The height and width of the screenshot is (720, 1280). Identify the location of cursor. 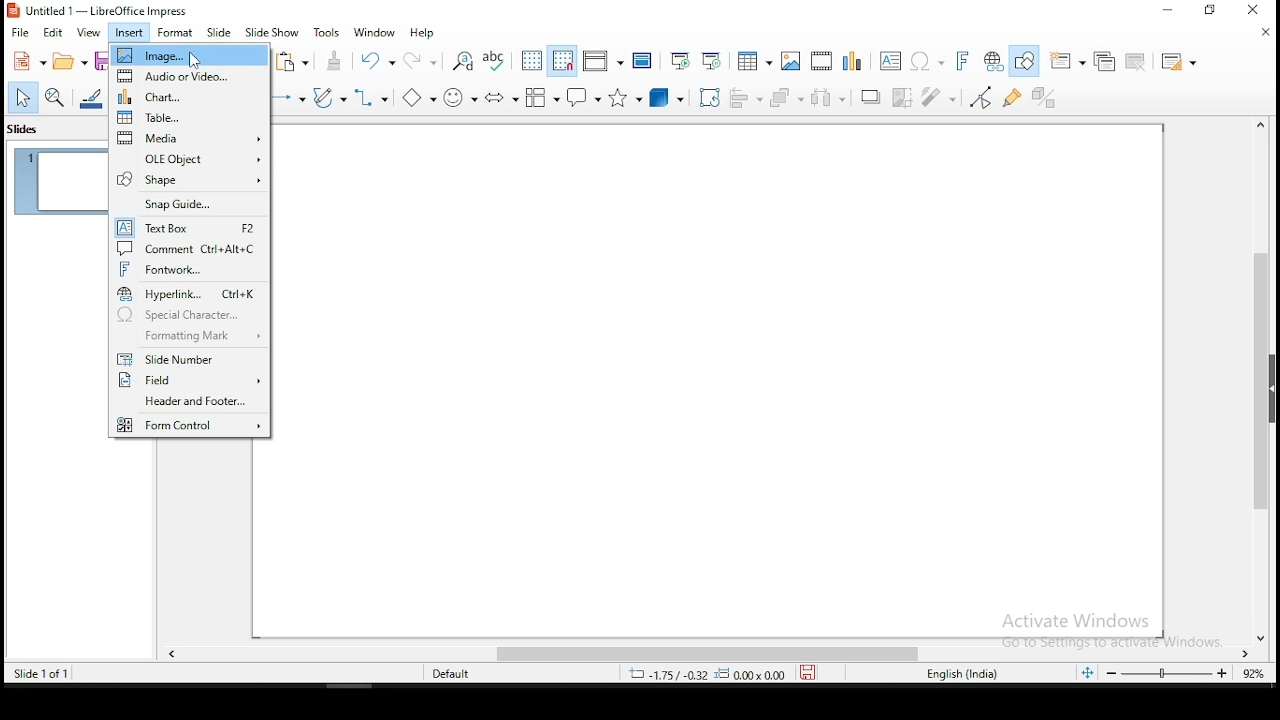
(198, 61).